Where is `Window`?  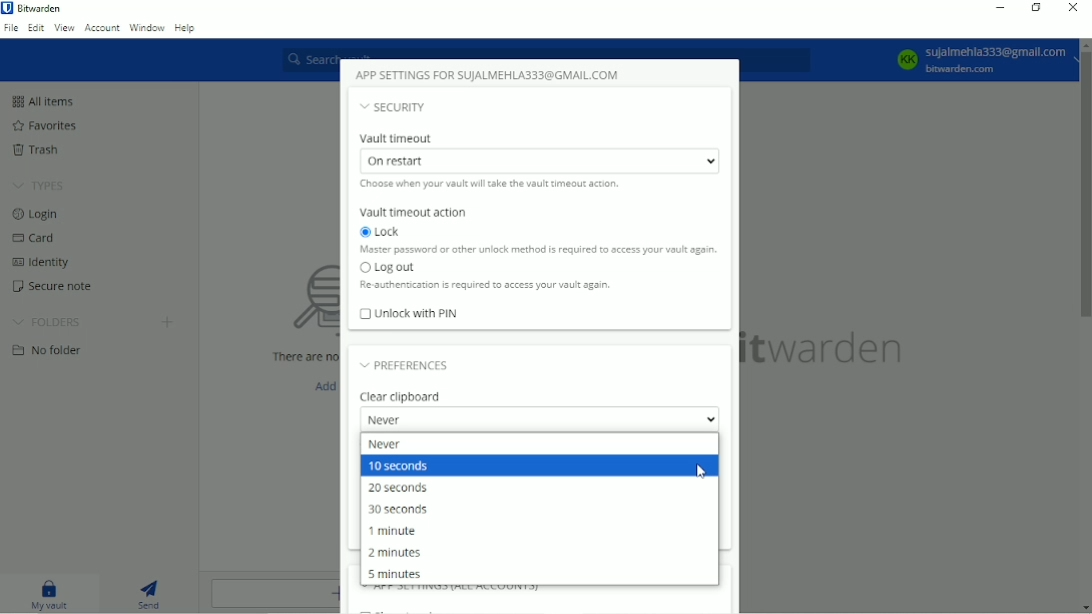 Window is located at coordinates (147, 27).